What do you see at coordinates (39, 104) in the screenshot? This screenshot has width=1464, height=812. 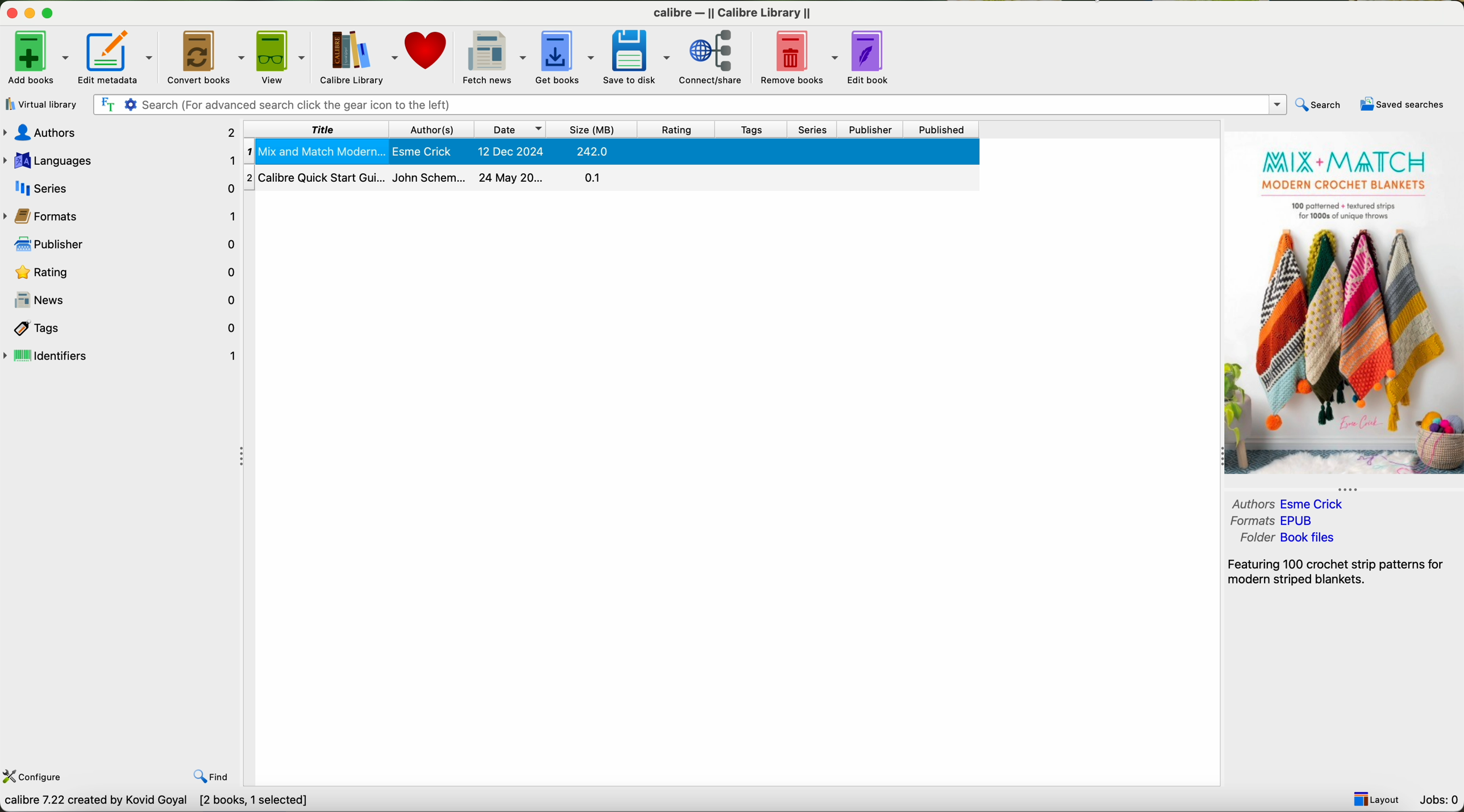 I see `virtual library` at bounding box center [39, 104].